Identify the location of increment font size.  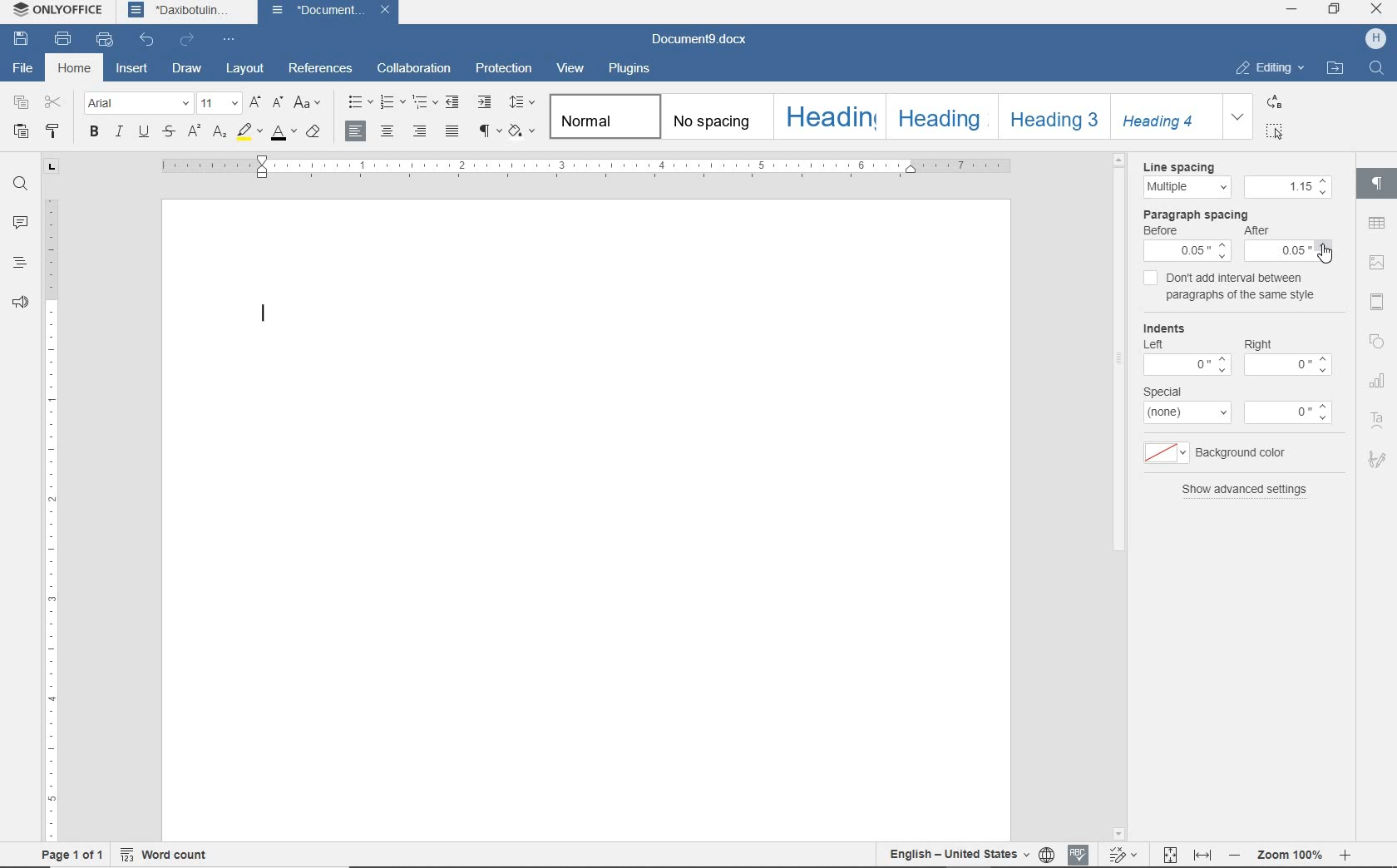
(255, 104).